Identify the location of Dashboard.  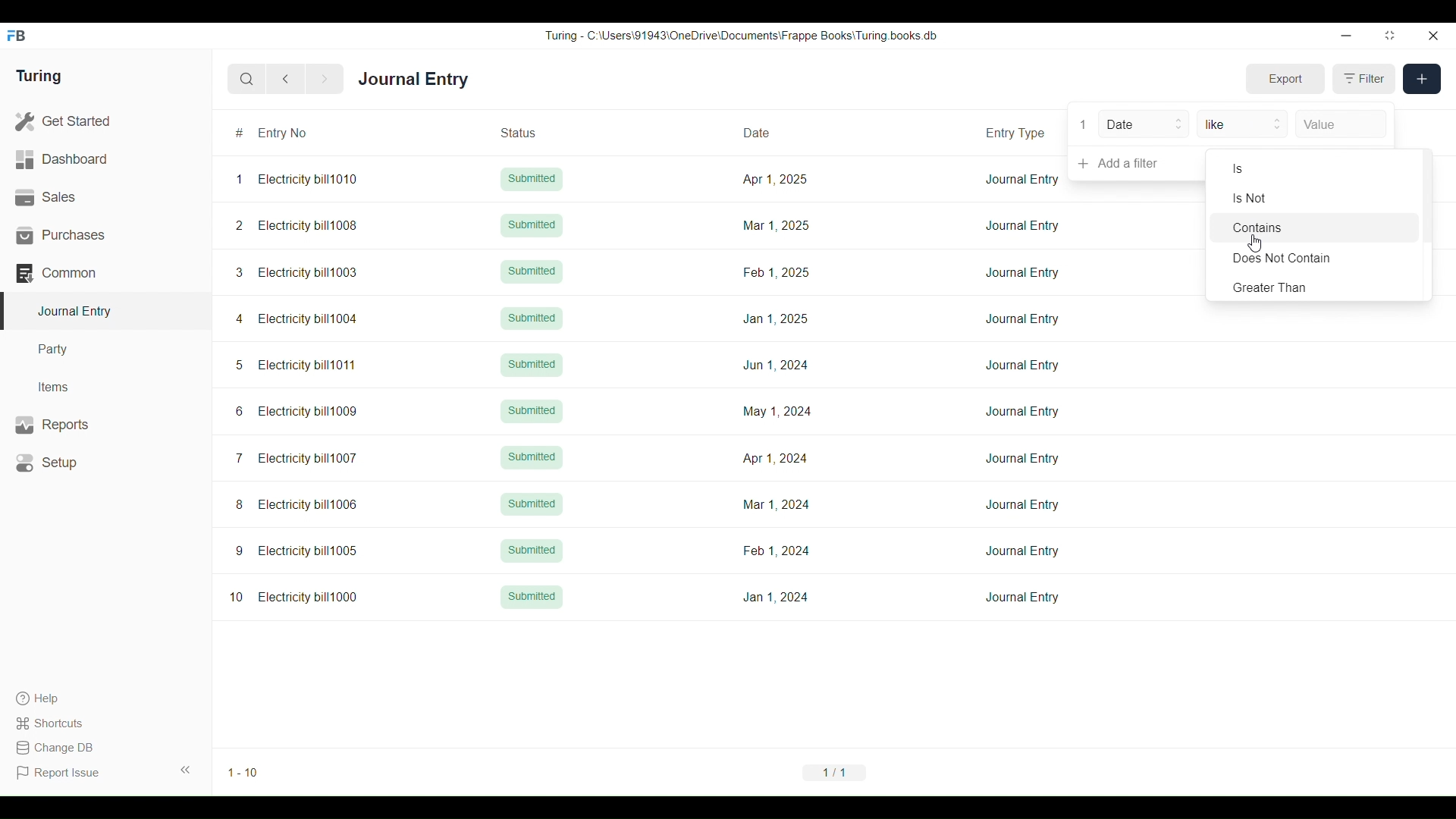
(105, 159).